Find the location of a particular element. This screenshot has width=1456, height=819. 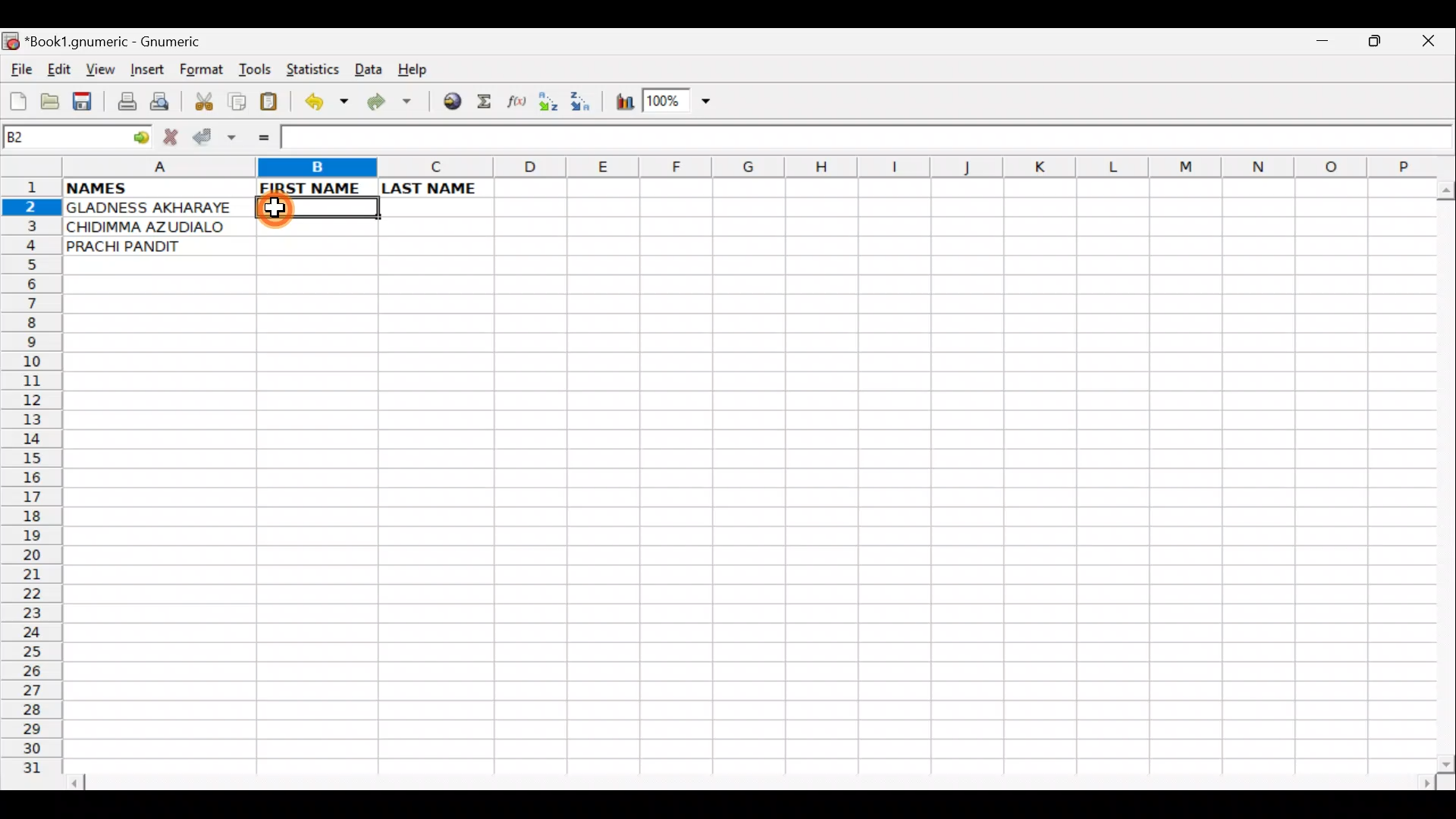

Scroll bar is located at coordinates (1442, 473).